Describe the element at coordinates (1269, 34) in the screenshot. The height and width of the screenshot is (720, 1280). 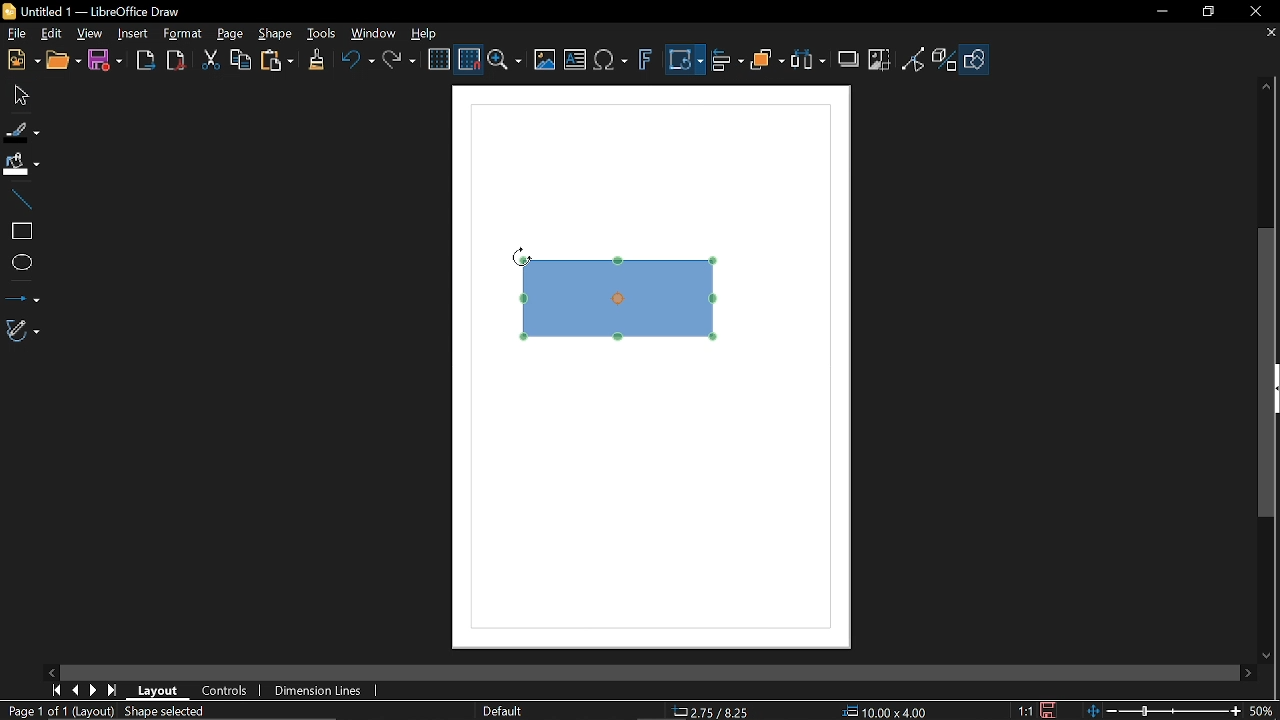
I see `Close tab` at that location.